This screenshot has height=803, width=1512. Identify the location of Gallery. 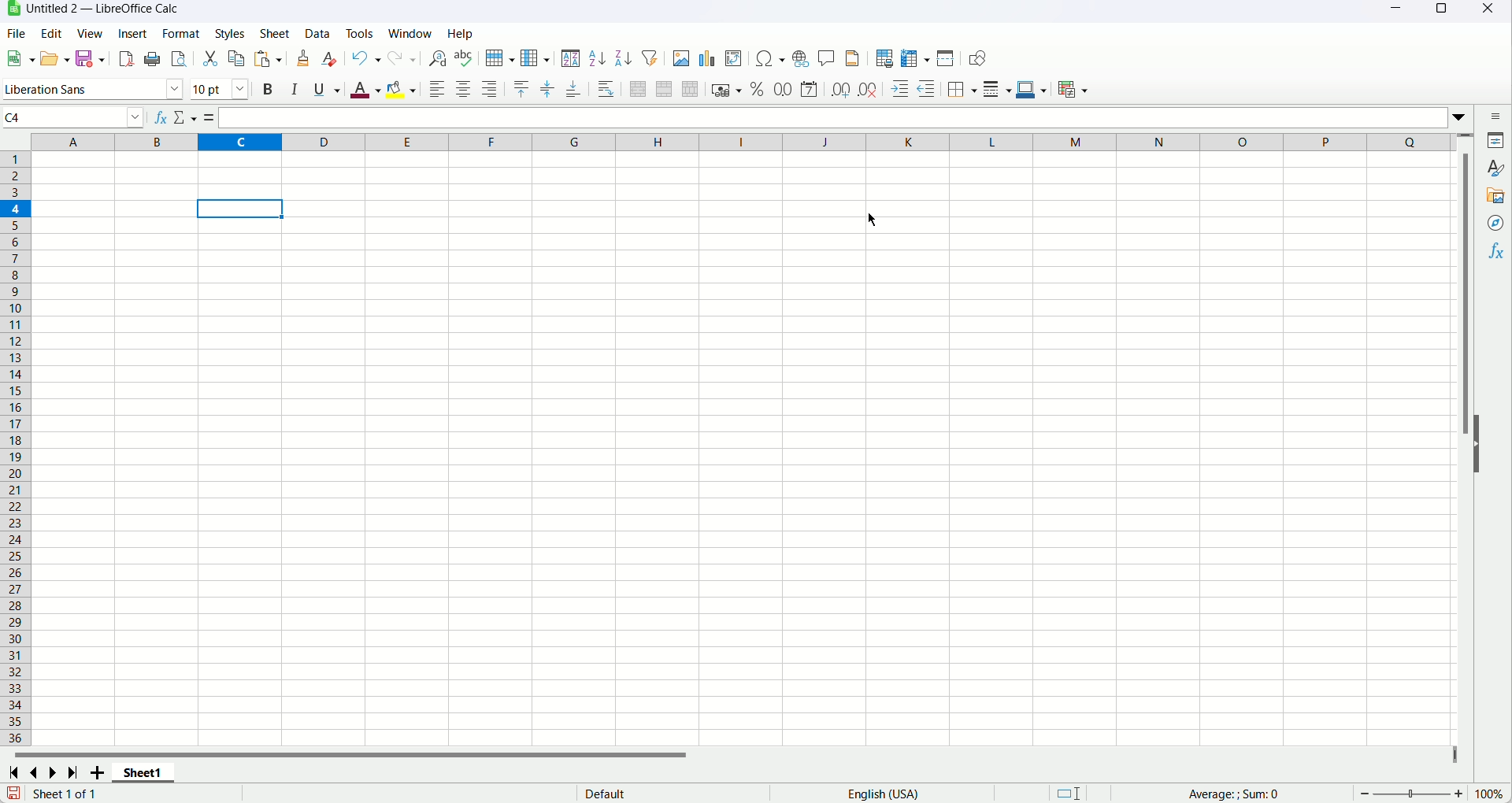
(1496, 194).